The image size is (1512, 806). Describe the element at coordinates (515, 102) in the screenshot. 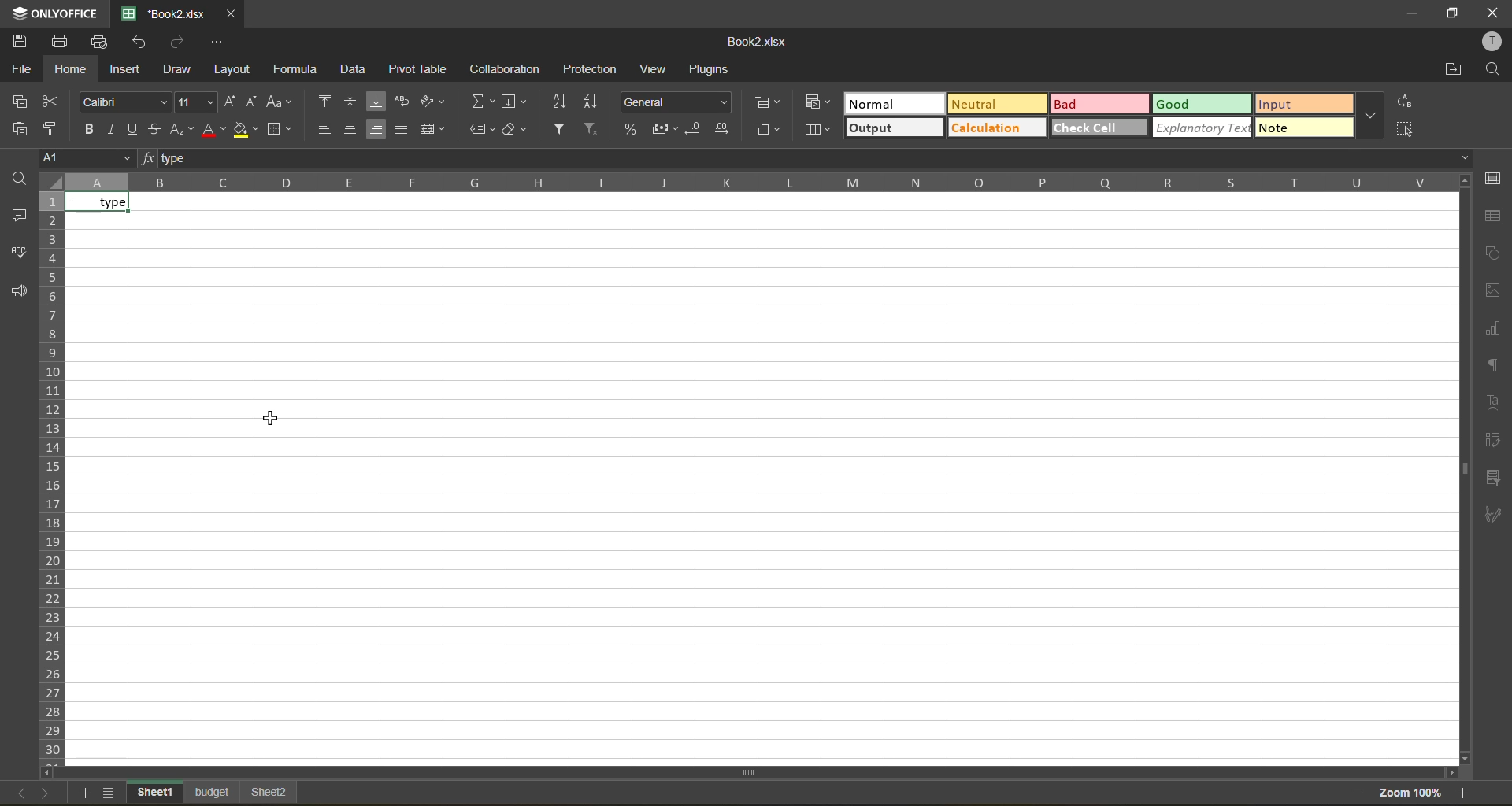

I see `fields` at that location.